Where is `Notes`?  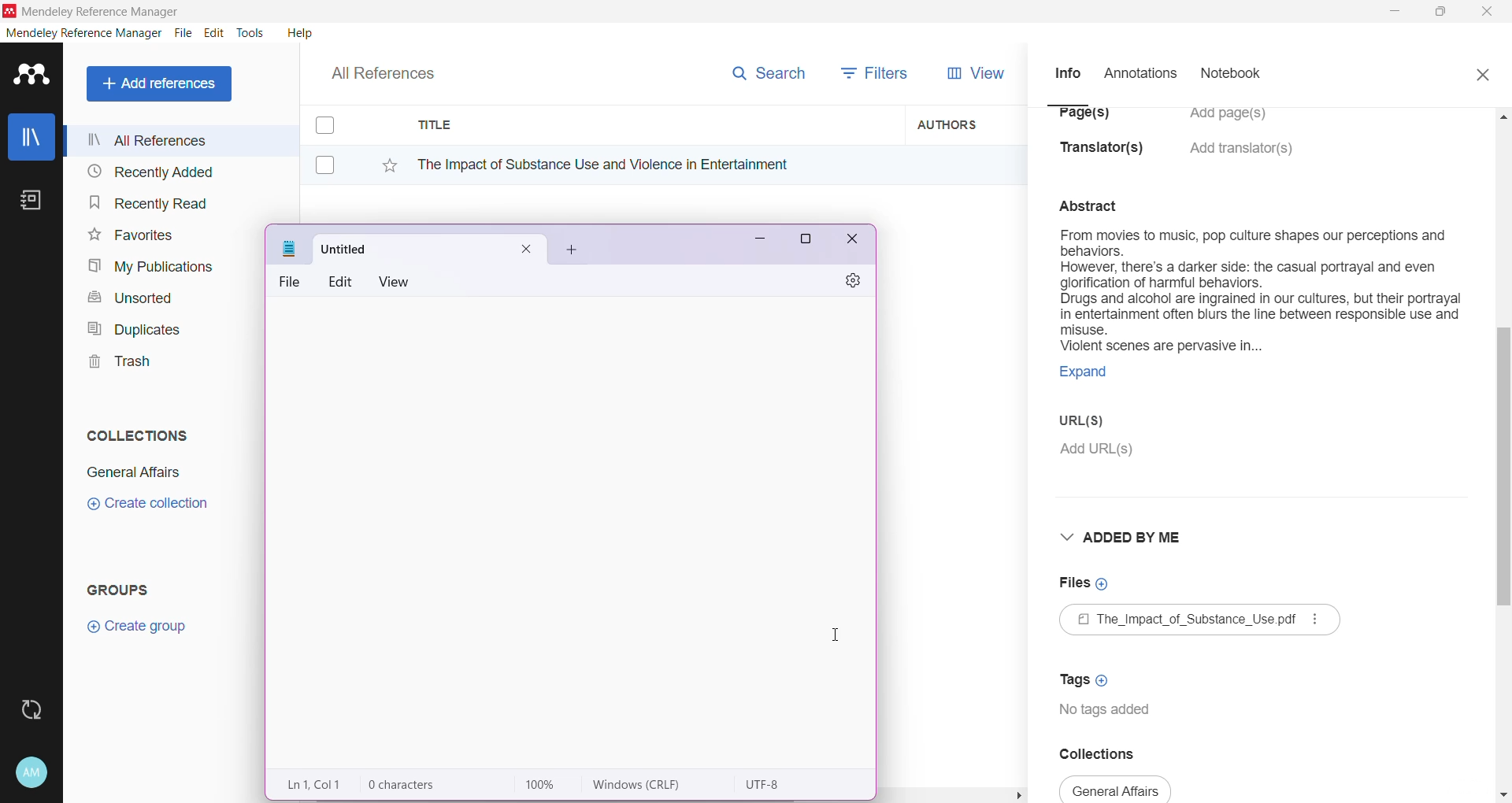 Notes is located at coordinates (35, 202).